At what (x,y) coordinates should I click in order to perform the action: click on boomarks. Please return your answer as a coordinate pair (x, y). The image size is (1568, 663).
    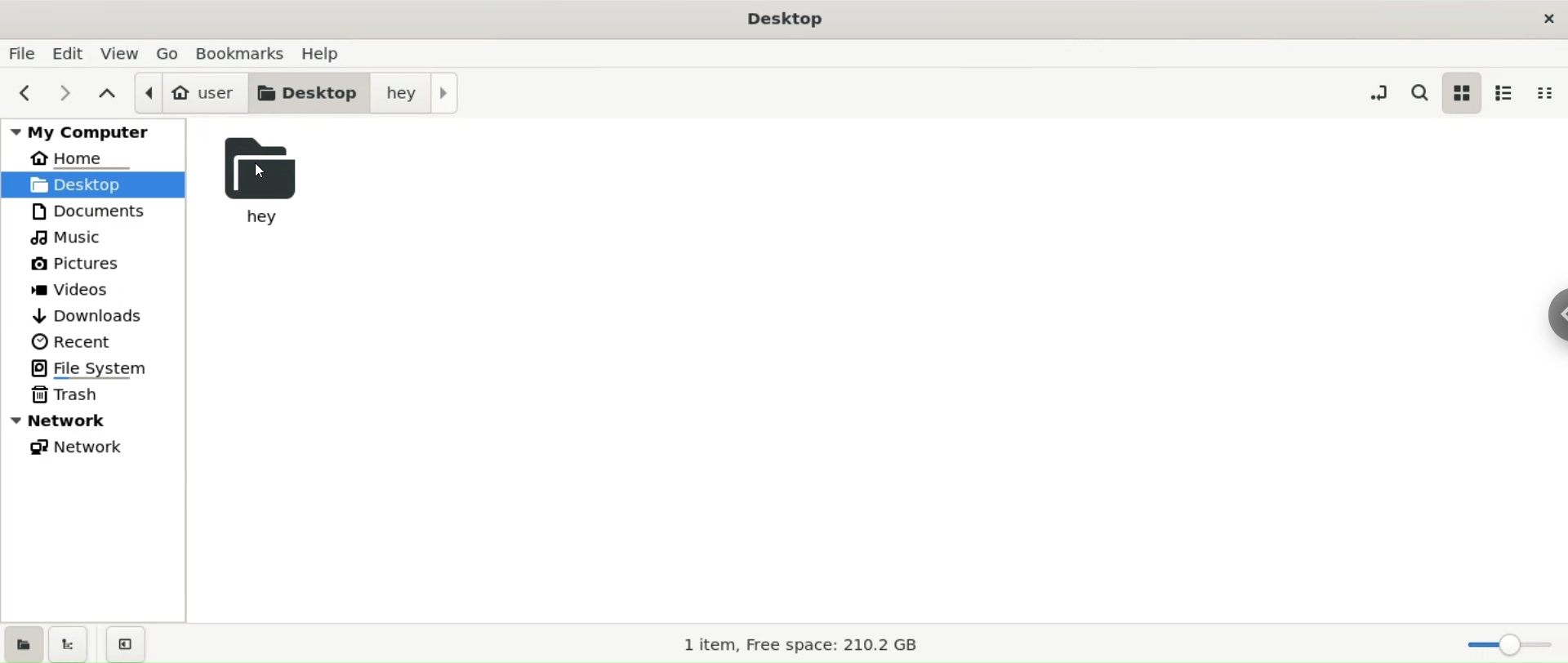
    Looking at the image, I should click on (246, 53).